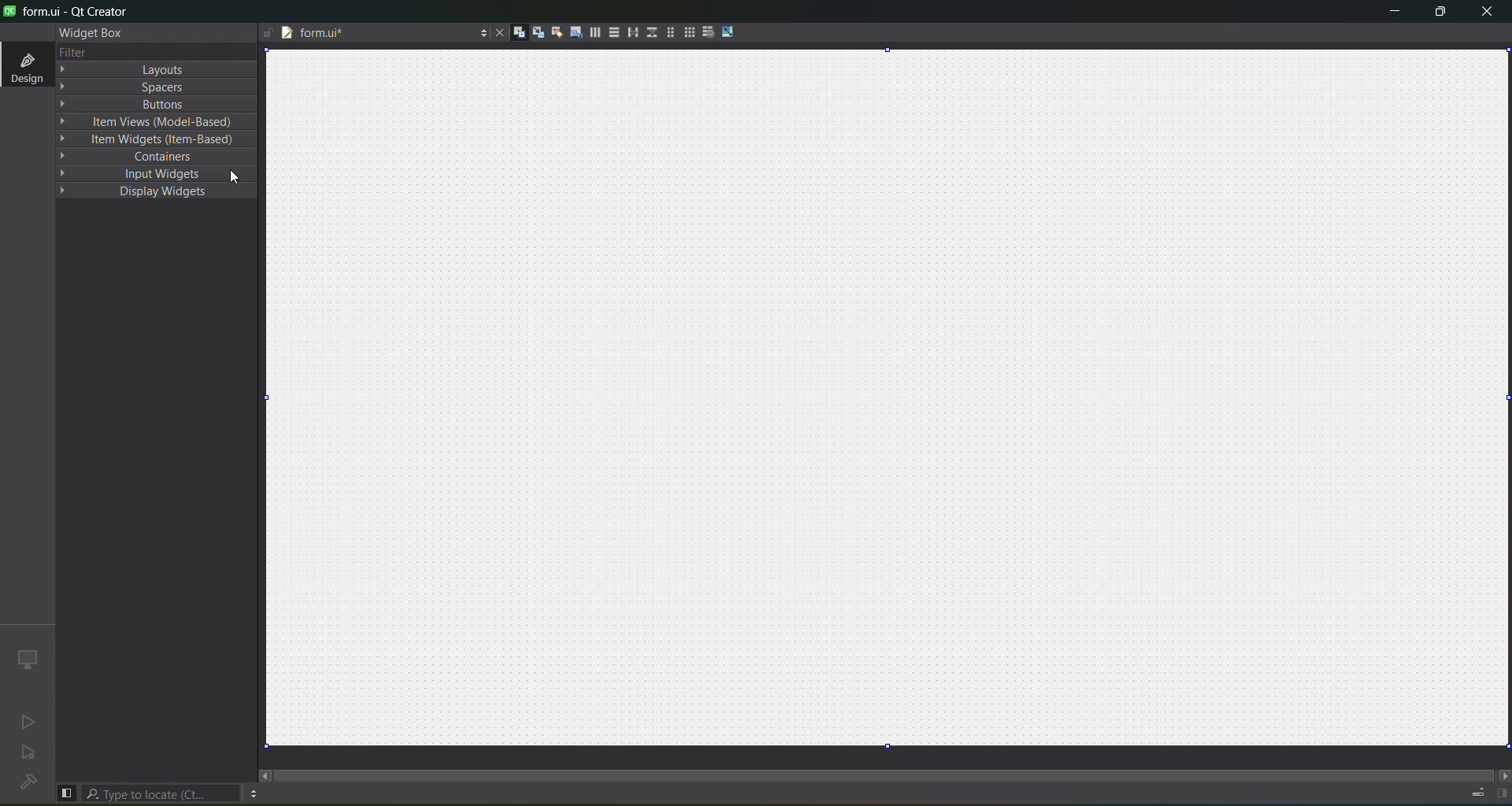 This screenshot has width=1512, height=806. I want to click on filter, so click(70, 52).